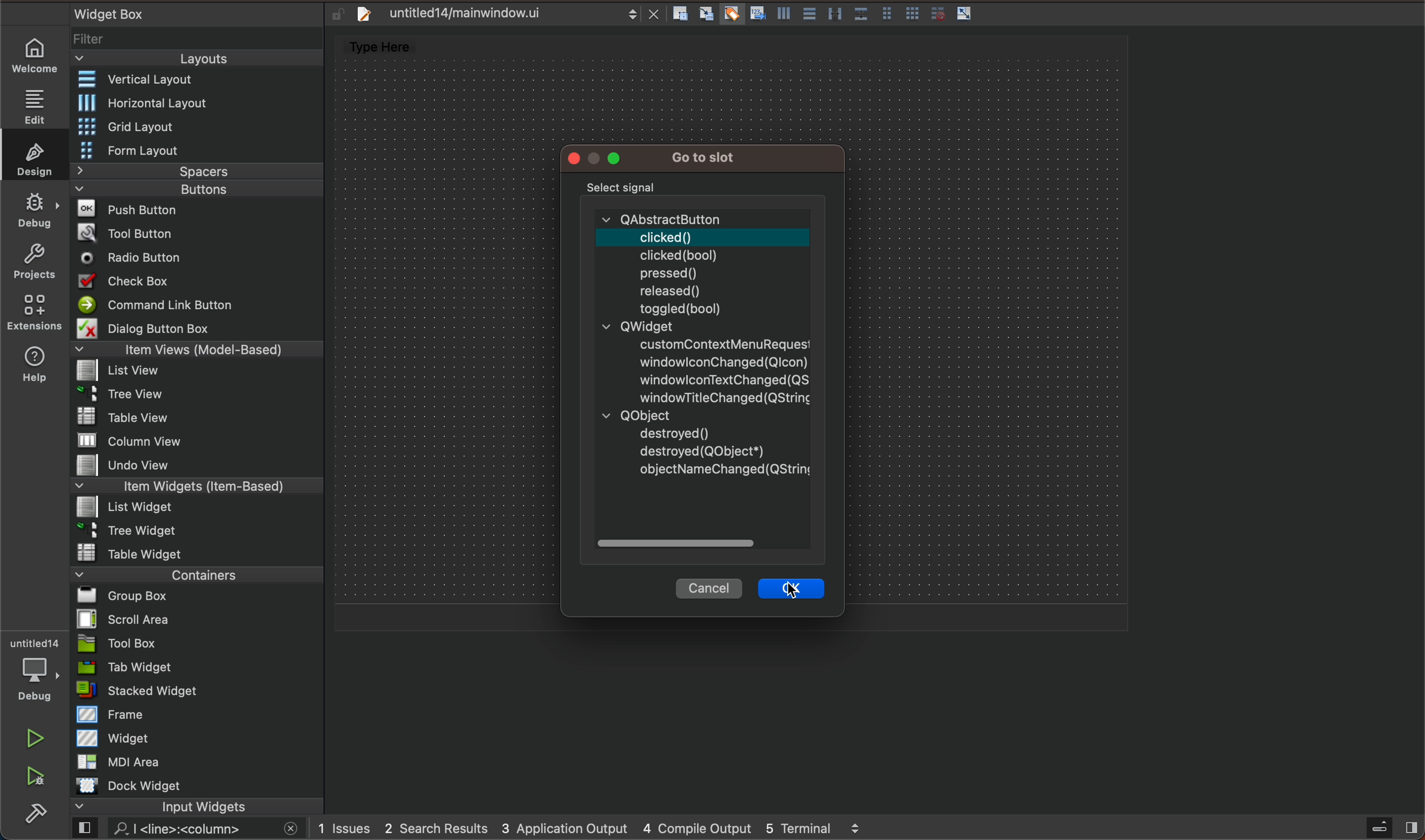  Describe the element at coordinates (38, 106) in the screenshot. I see `EDIT` at that location.